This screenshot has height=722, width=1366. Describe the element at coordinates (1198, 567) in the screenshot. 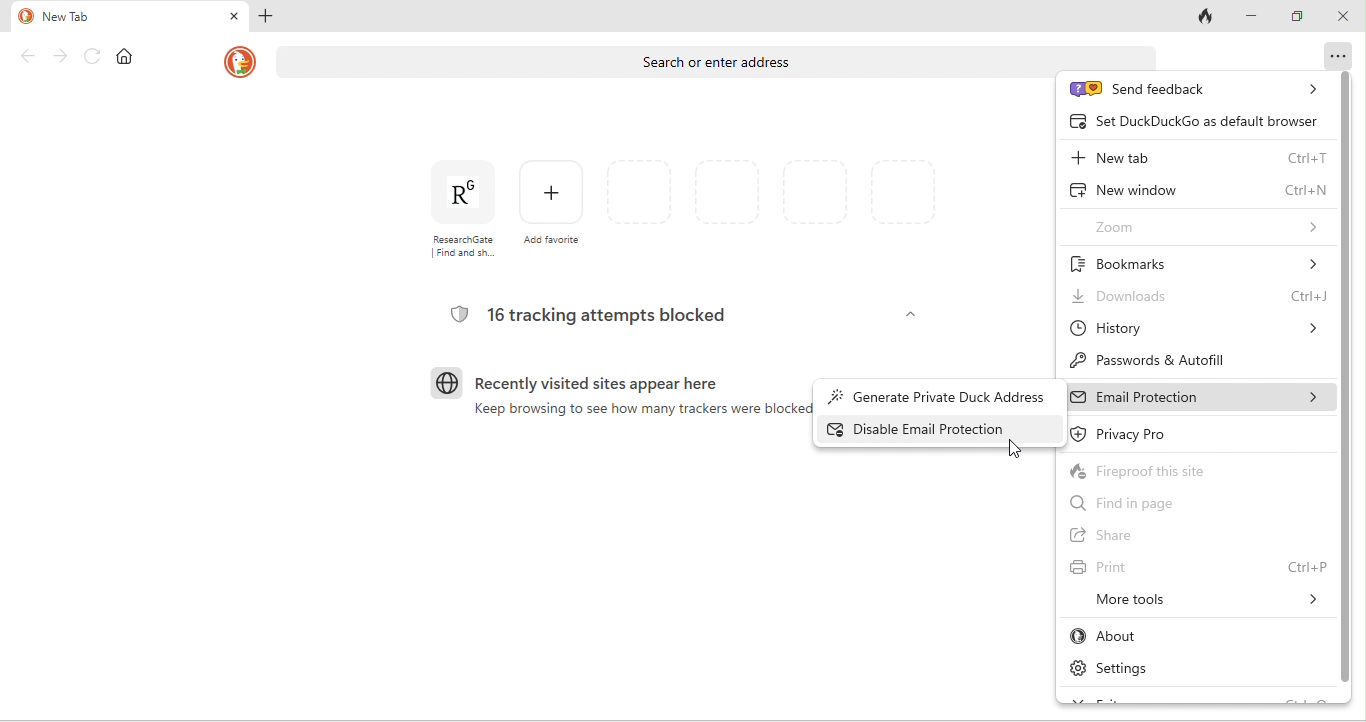

I see `print` at that location.